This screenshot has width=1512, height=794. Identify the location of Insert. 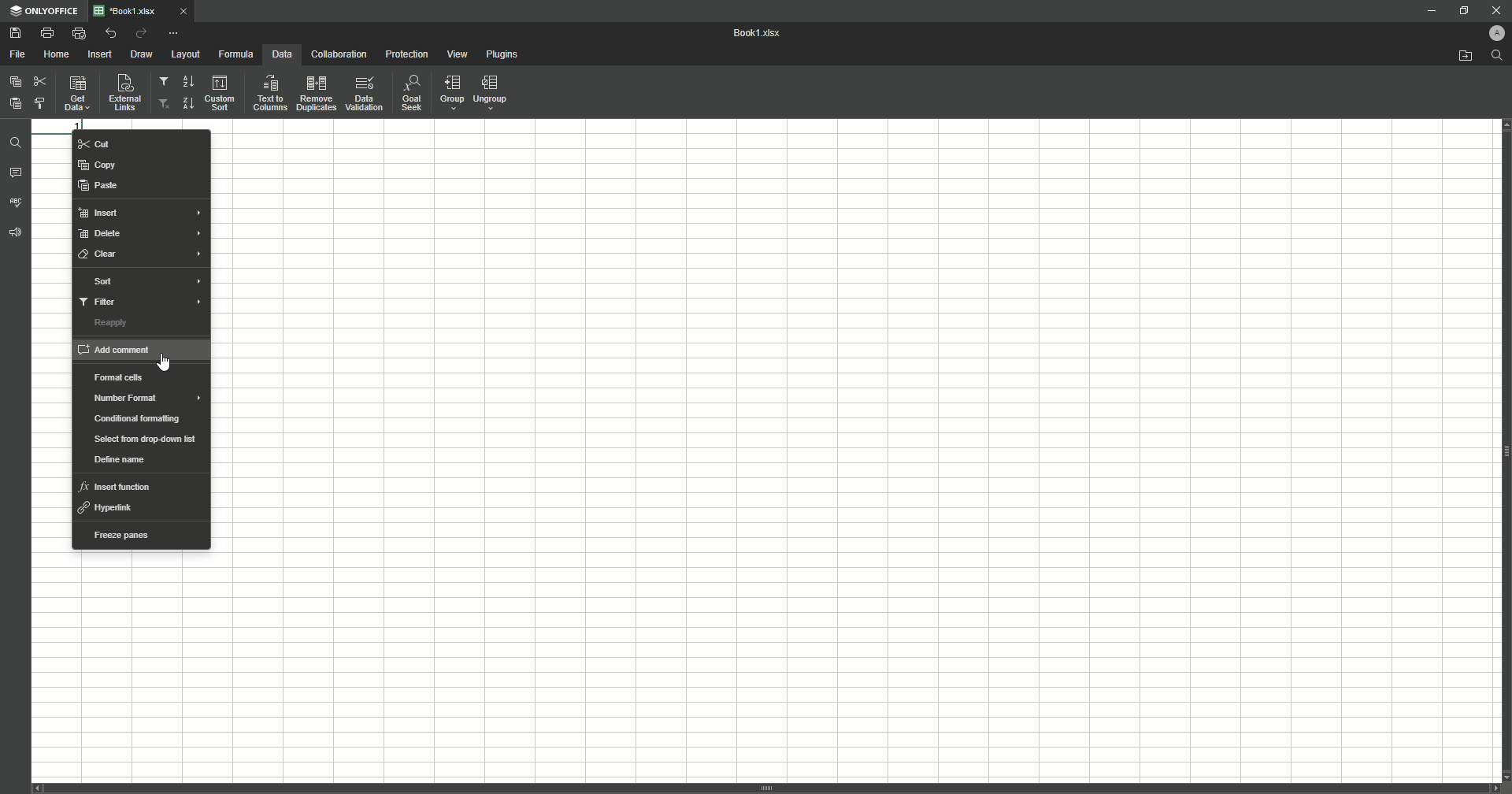
(100, 214).